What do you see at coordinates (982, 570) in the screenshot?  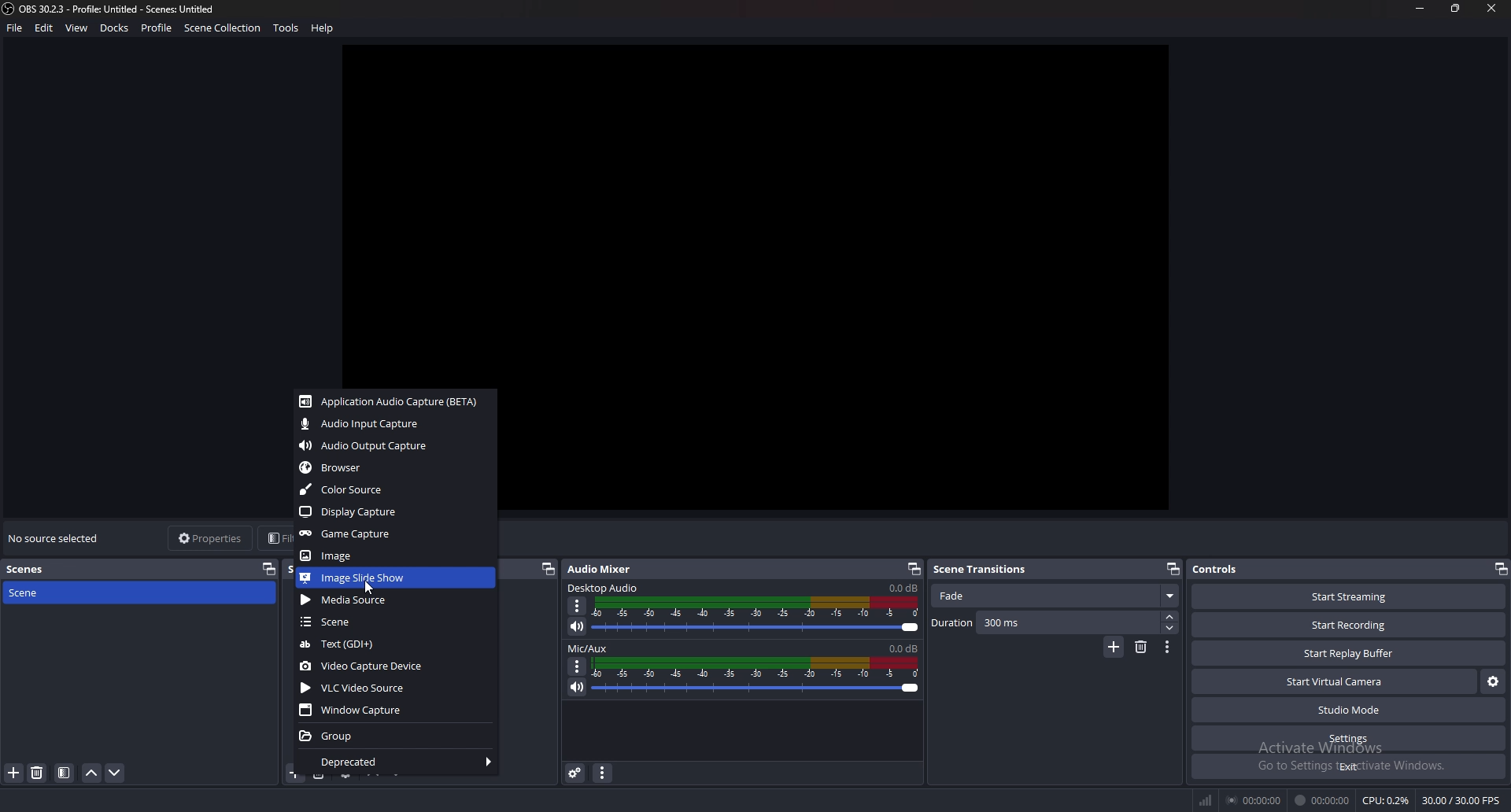 I see `scene transitions` at bounding box center [982, 570].